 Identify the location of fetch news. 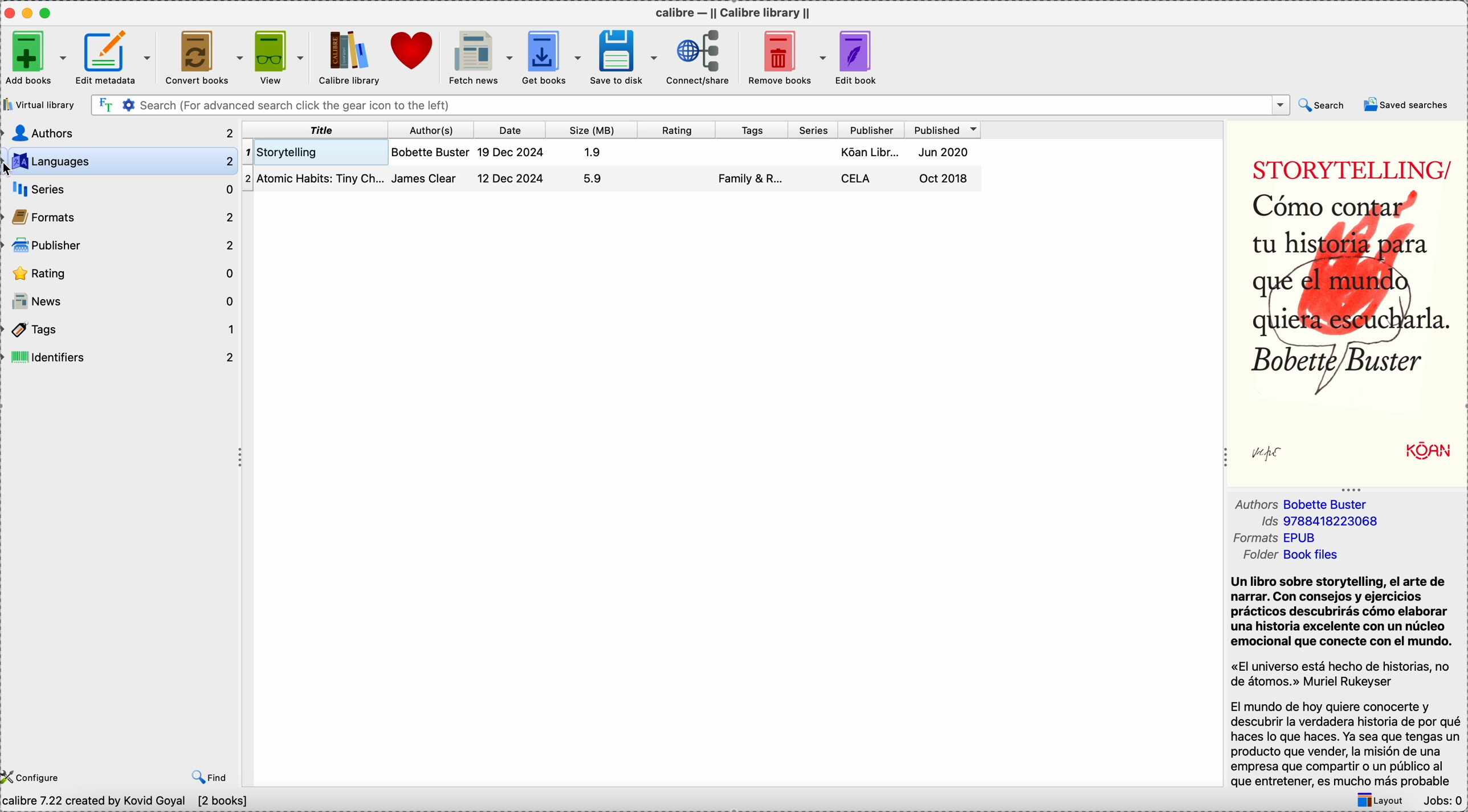
(480, 56).